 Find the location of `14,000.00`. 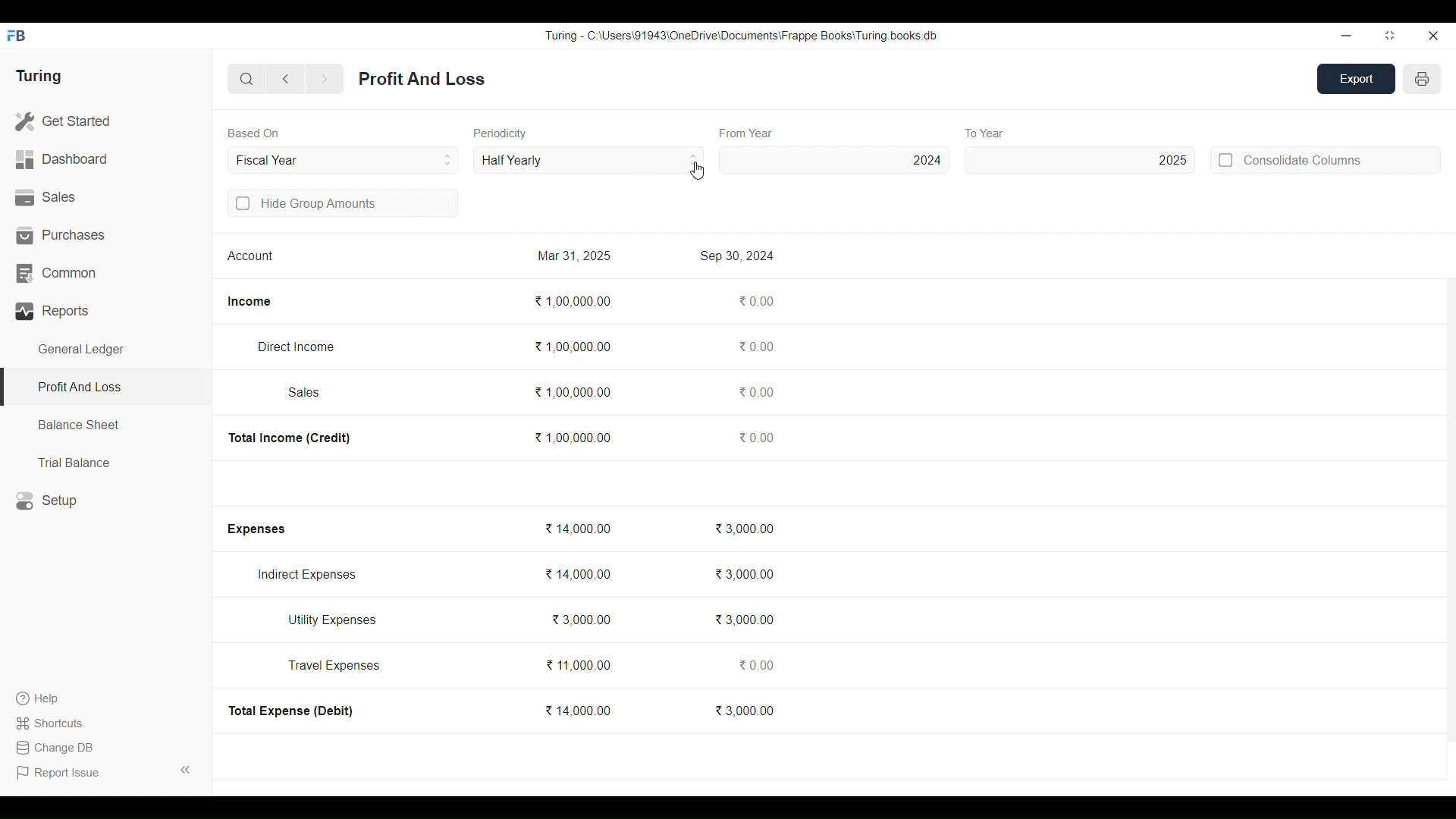

14,000.00 is located at coordinates (579, 574).